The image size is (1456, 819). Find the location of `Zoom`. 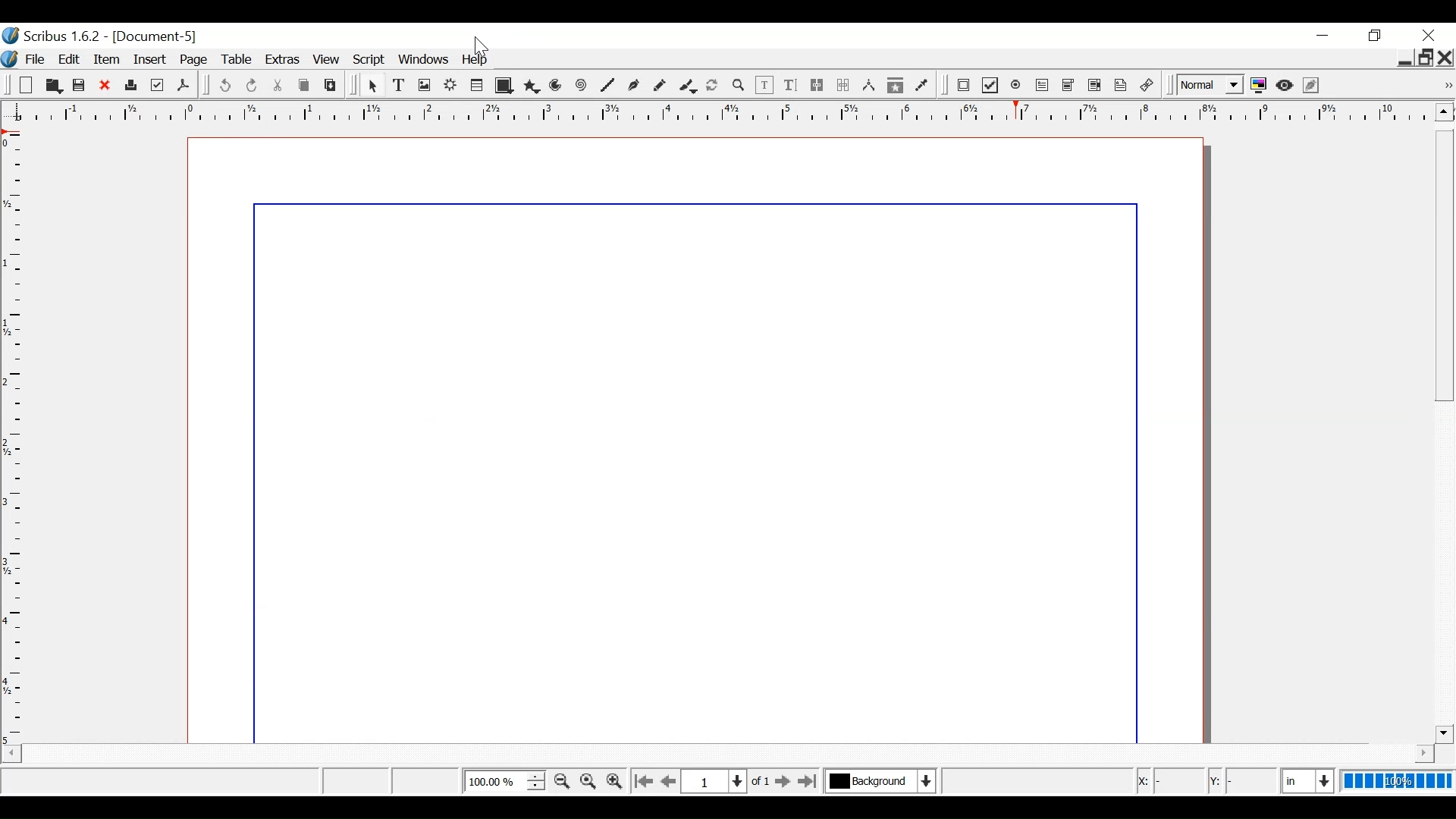

Zoom is located at coordinates (504, 780).